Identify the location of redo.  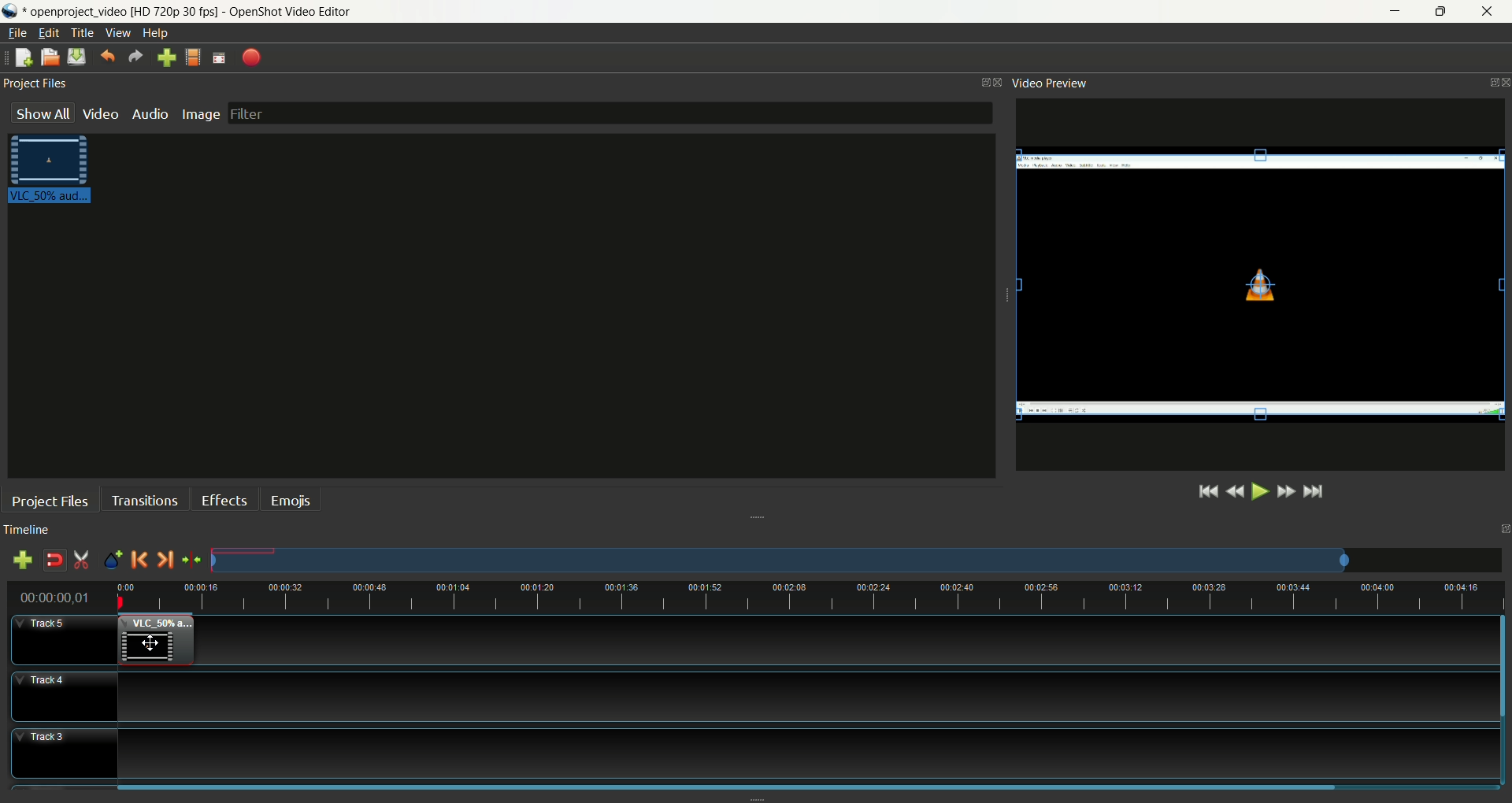
(135, 58).